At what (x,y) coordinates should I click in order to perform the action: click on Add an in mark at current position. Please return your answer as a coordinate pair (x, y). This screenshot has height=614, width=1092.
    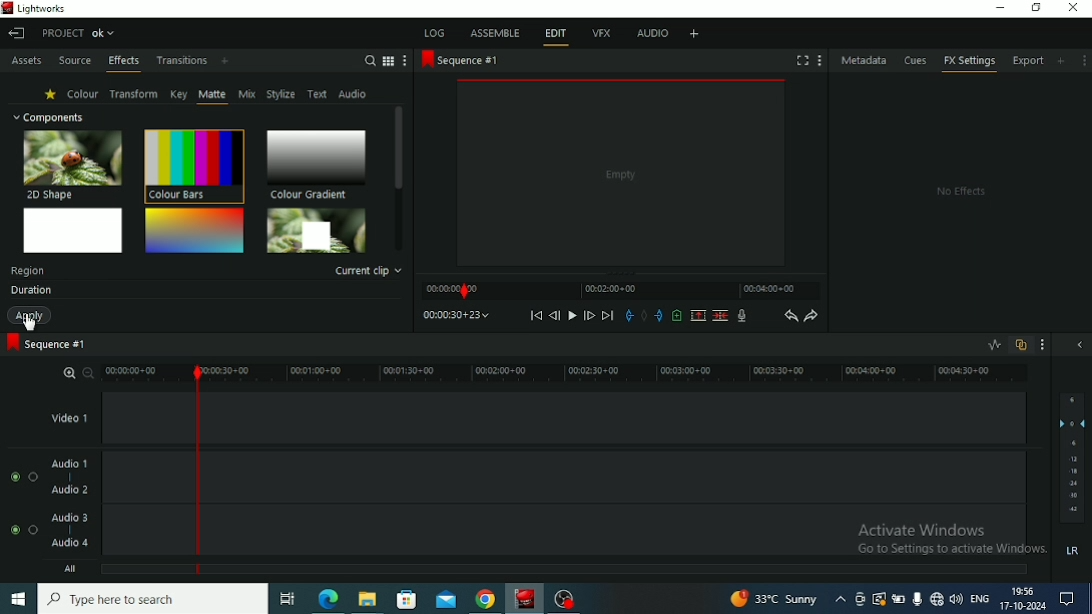
    Looking at the image, I should click on (629, 315).